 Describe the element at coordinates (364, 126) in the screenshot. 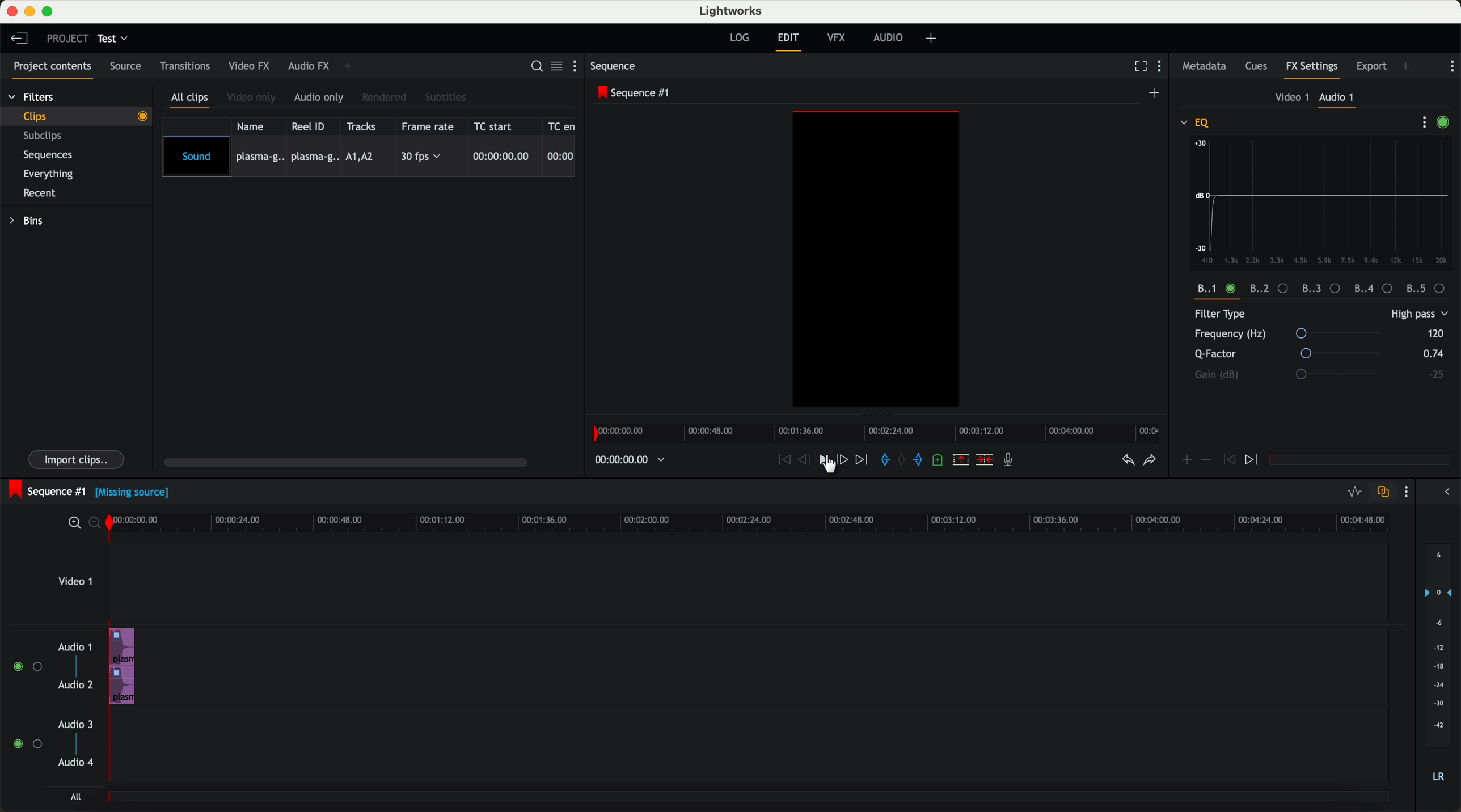

I see `tracks` at that location.